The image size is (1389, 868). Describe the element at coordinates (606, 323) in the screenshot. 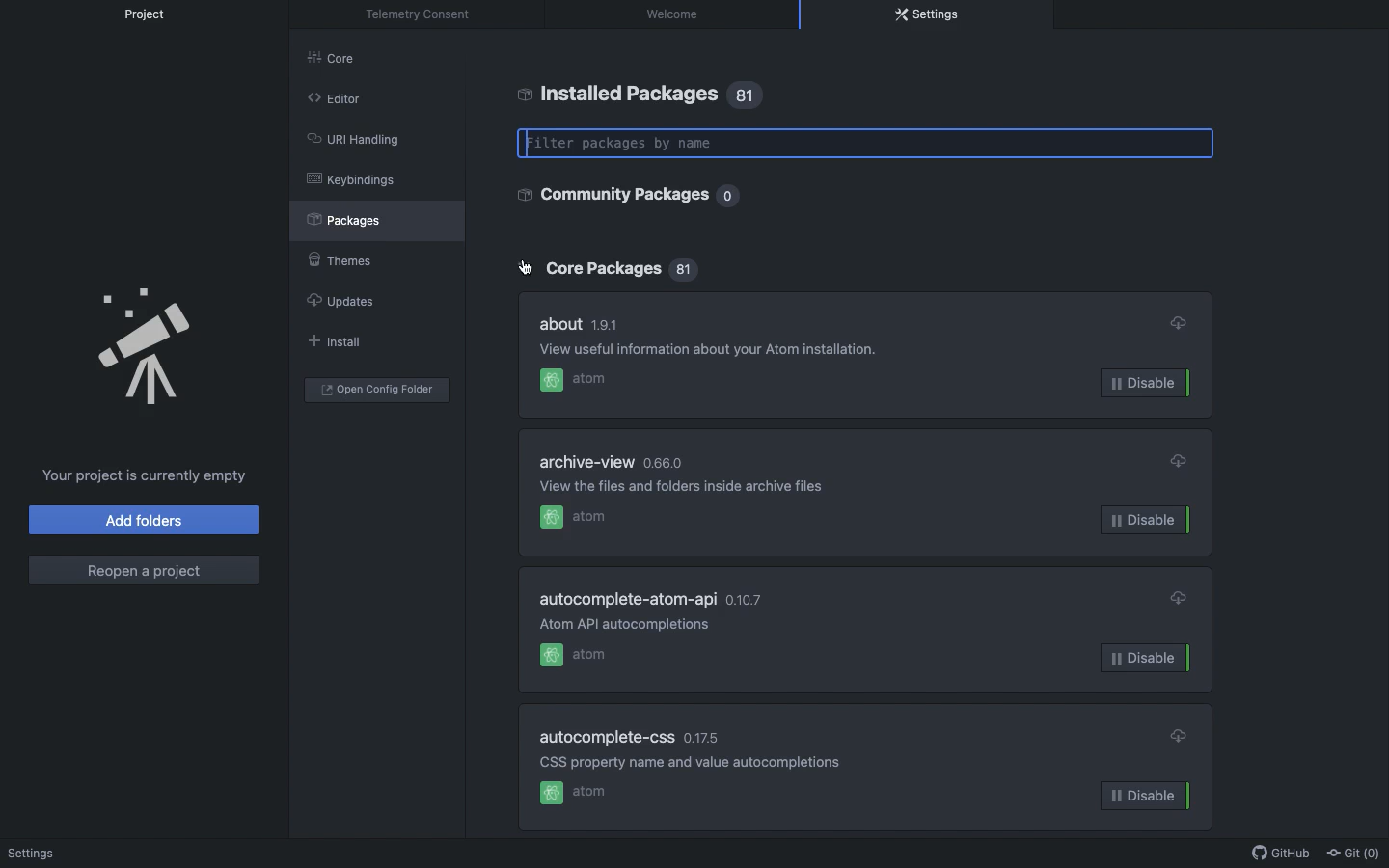

I see `1.9.1` at that location.